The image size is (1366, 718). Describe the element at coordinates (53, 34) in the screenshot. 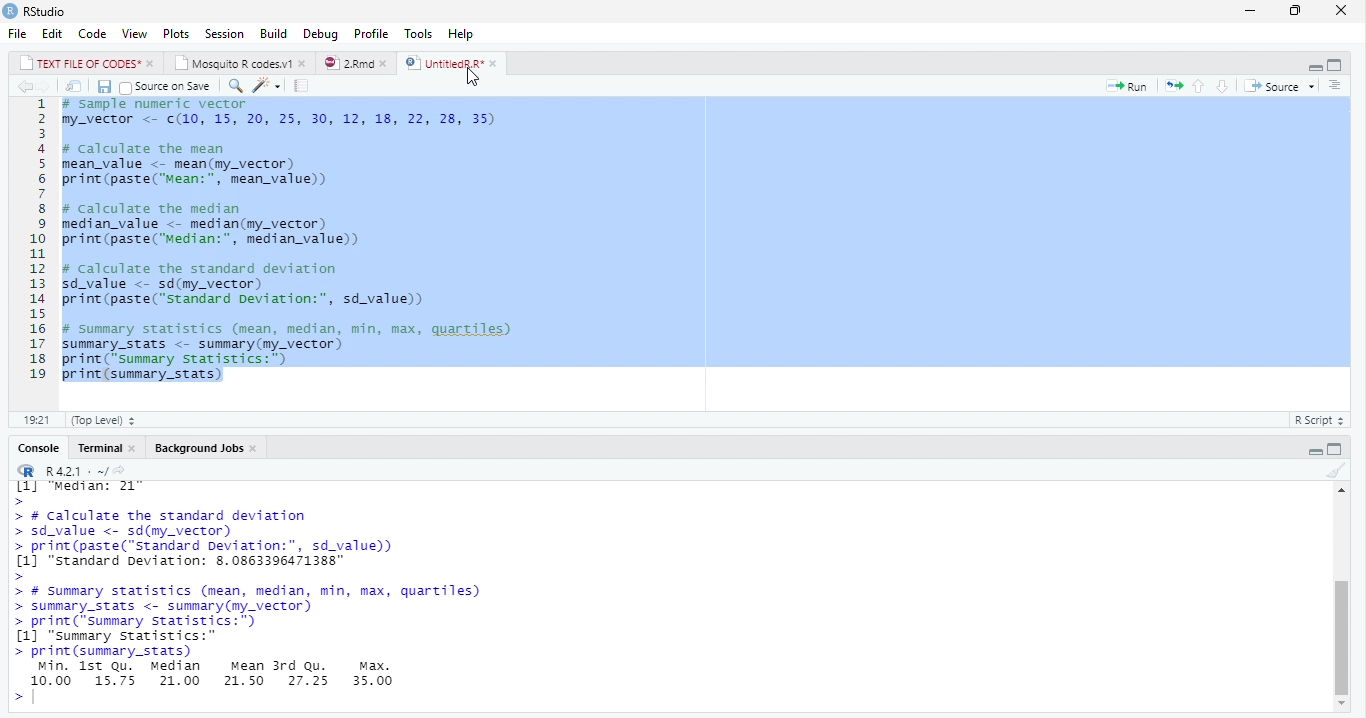

I see `edit` at that location.